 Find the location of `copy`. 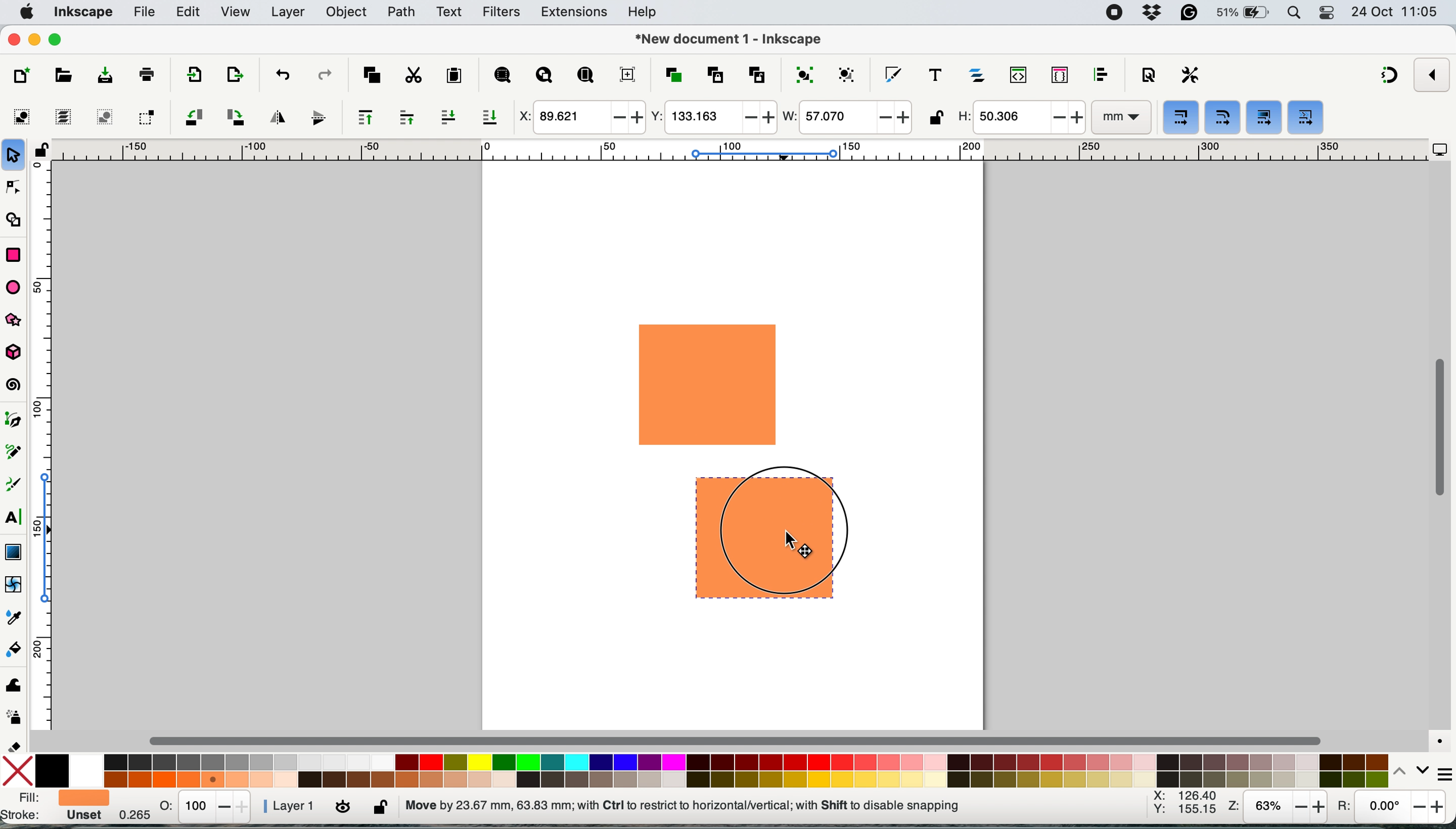

copy is located at coordinates (372, 73).